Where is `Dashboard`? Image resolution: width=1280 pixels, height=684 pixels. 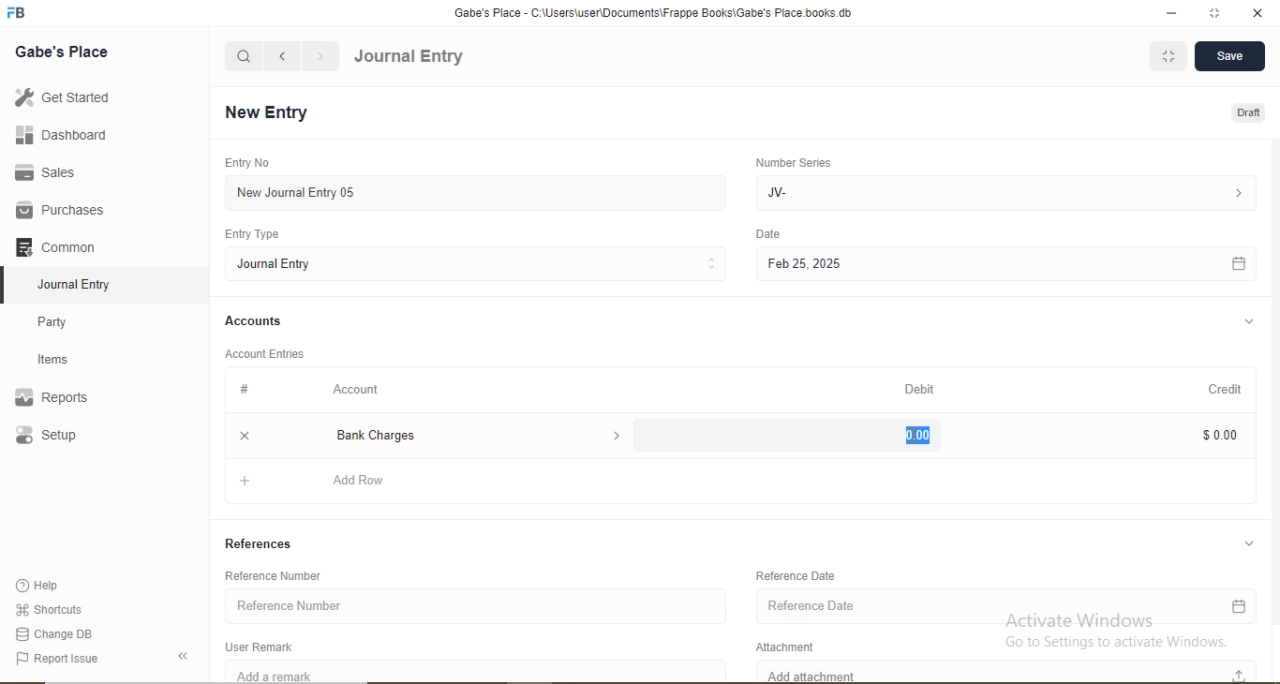 Dashboard is located at coordinates (55, 136).